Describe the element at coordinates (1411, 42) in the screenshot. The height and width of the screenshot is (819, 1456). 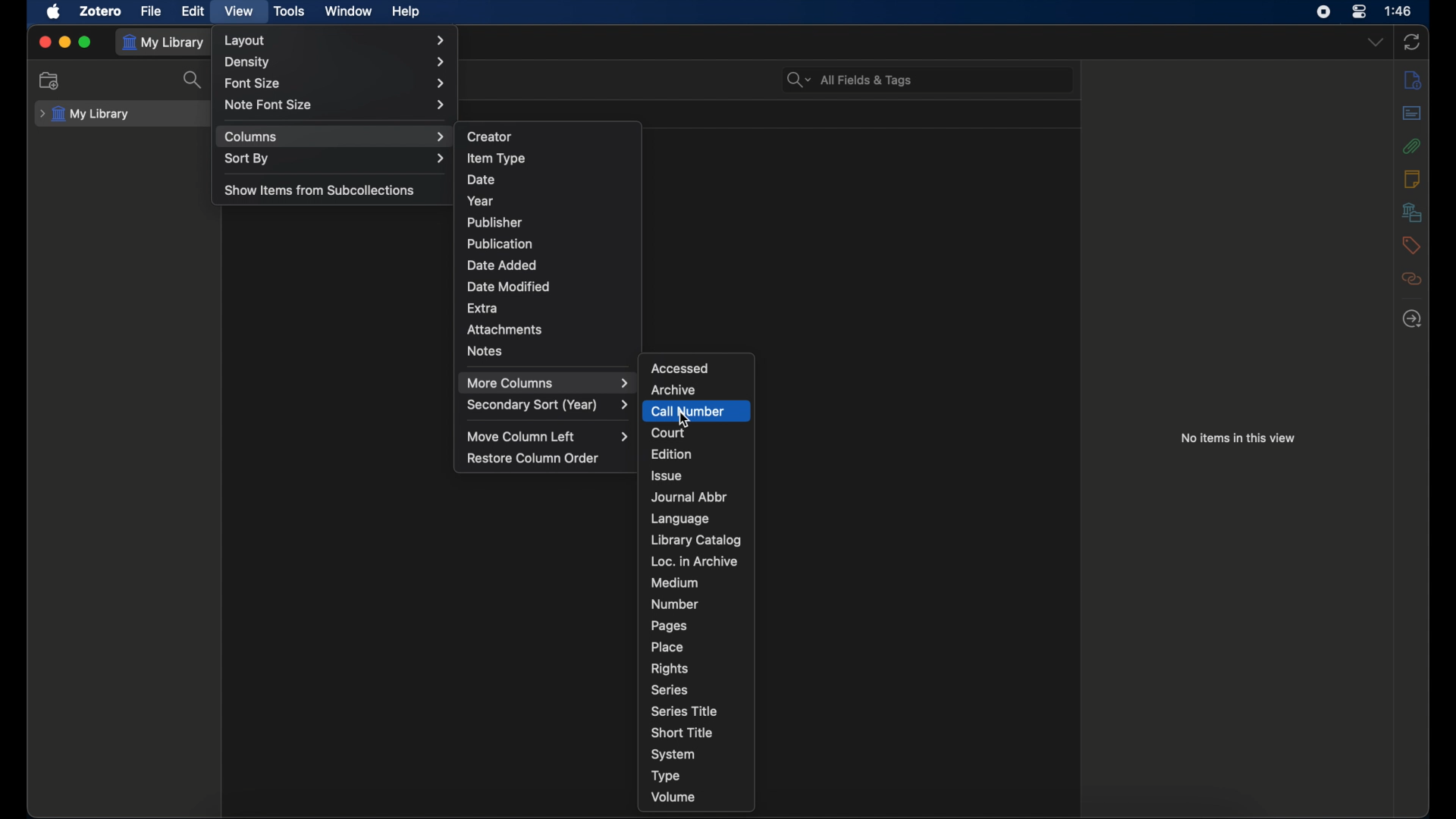
I see `sync` at that location.